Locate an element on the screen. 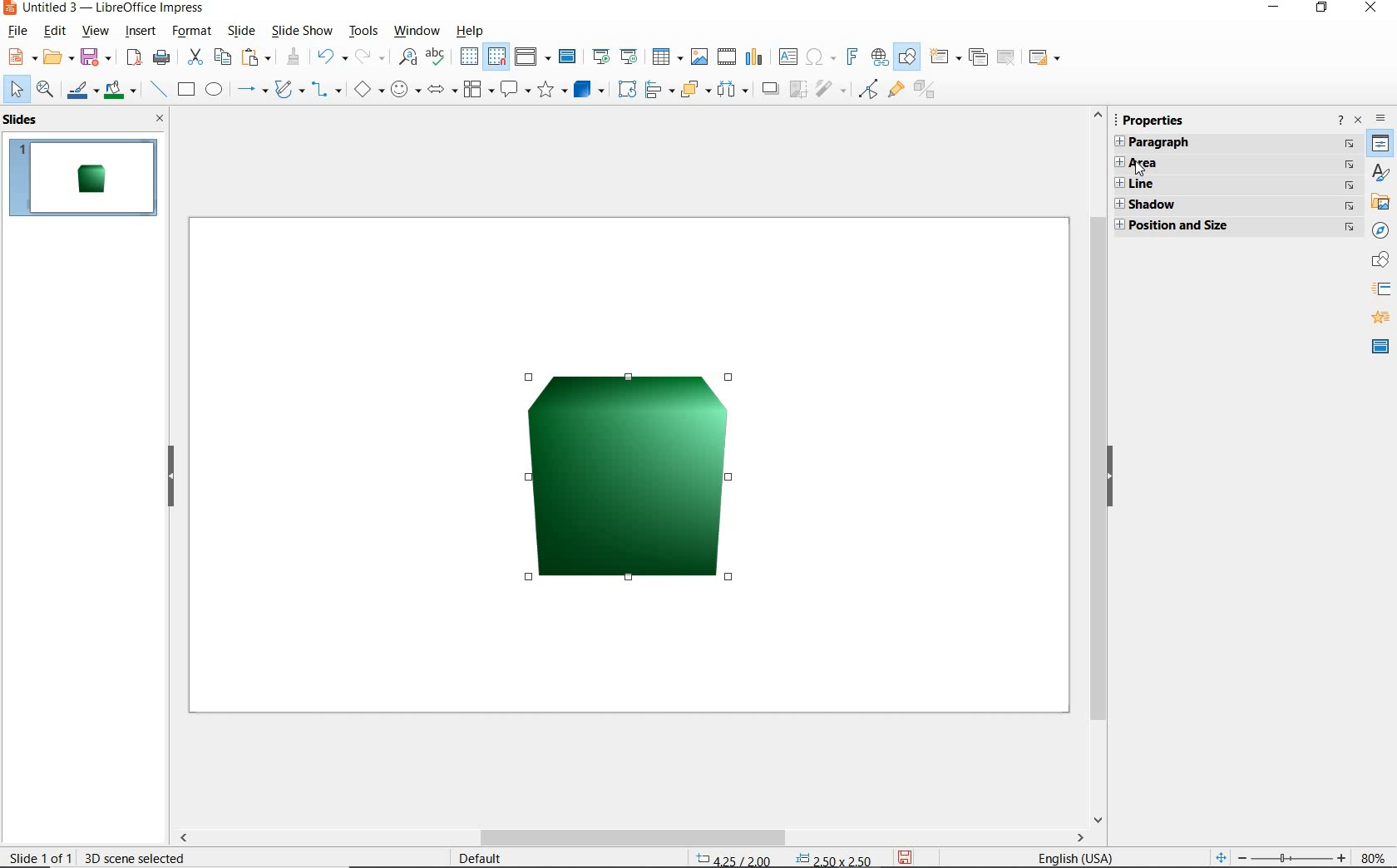 The height and width of the screenshot is (868, 1397). format is located at coordinates (193, 31).